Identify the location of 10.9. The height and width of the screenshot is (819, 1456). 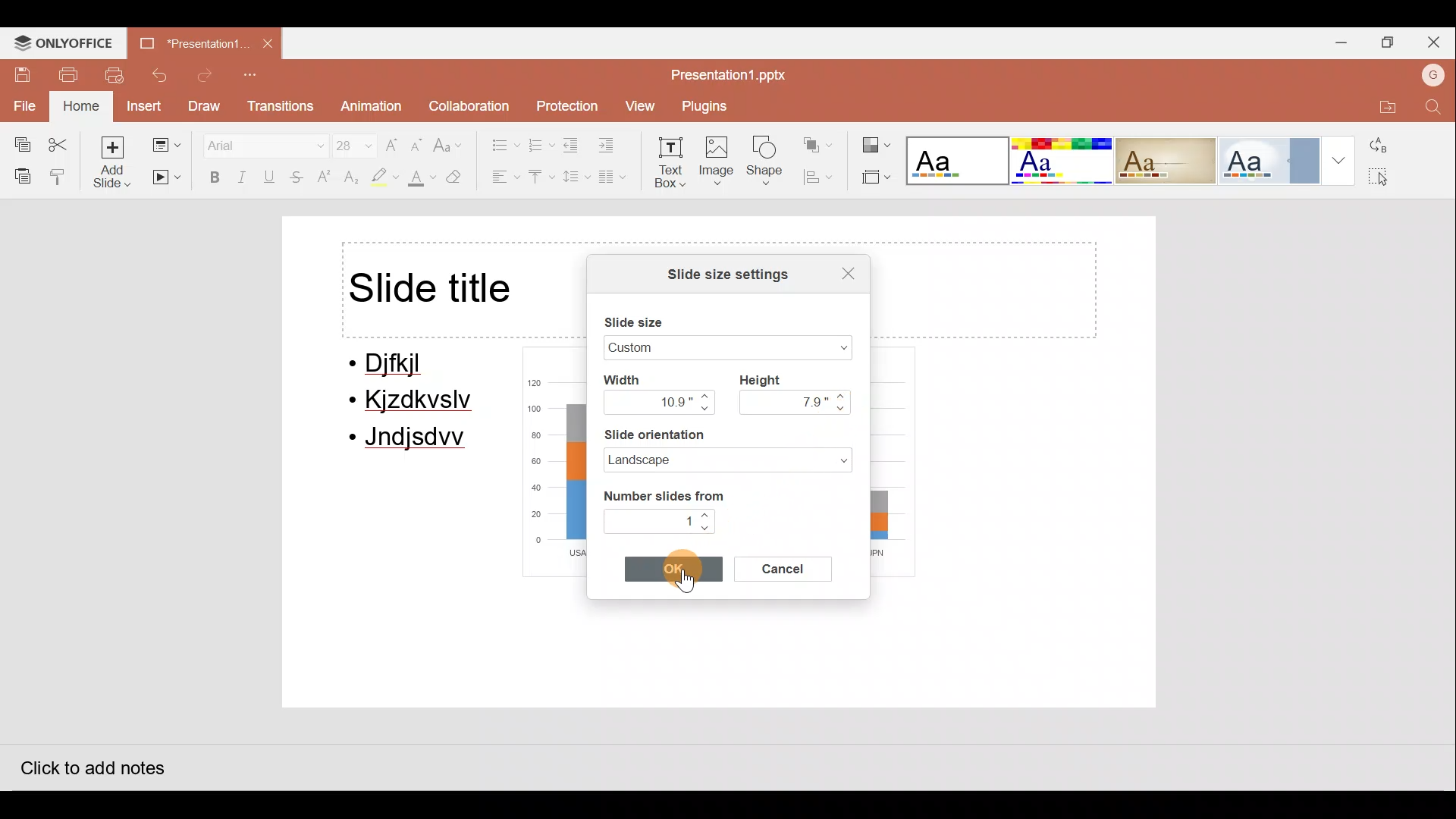
(649, 401).